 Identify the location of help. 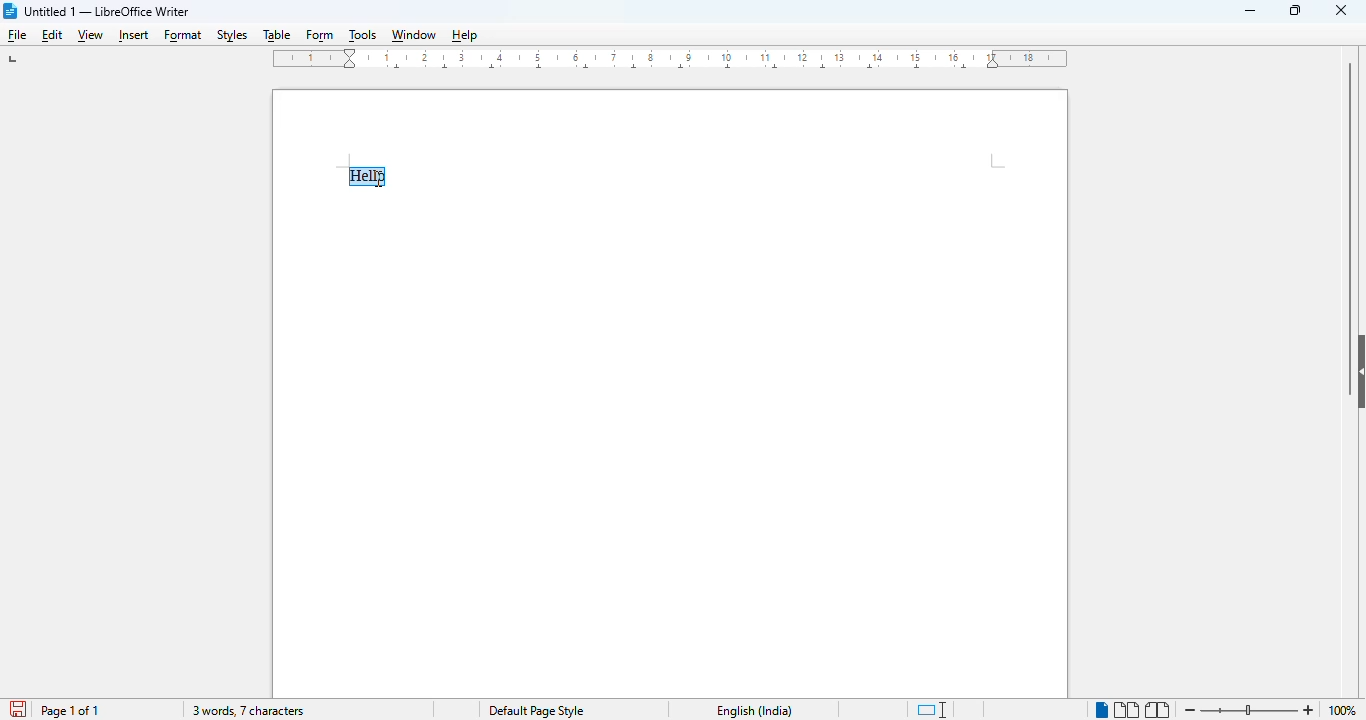
(466, 35).